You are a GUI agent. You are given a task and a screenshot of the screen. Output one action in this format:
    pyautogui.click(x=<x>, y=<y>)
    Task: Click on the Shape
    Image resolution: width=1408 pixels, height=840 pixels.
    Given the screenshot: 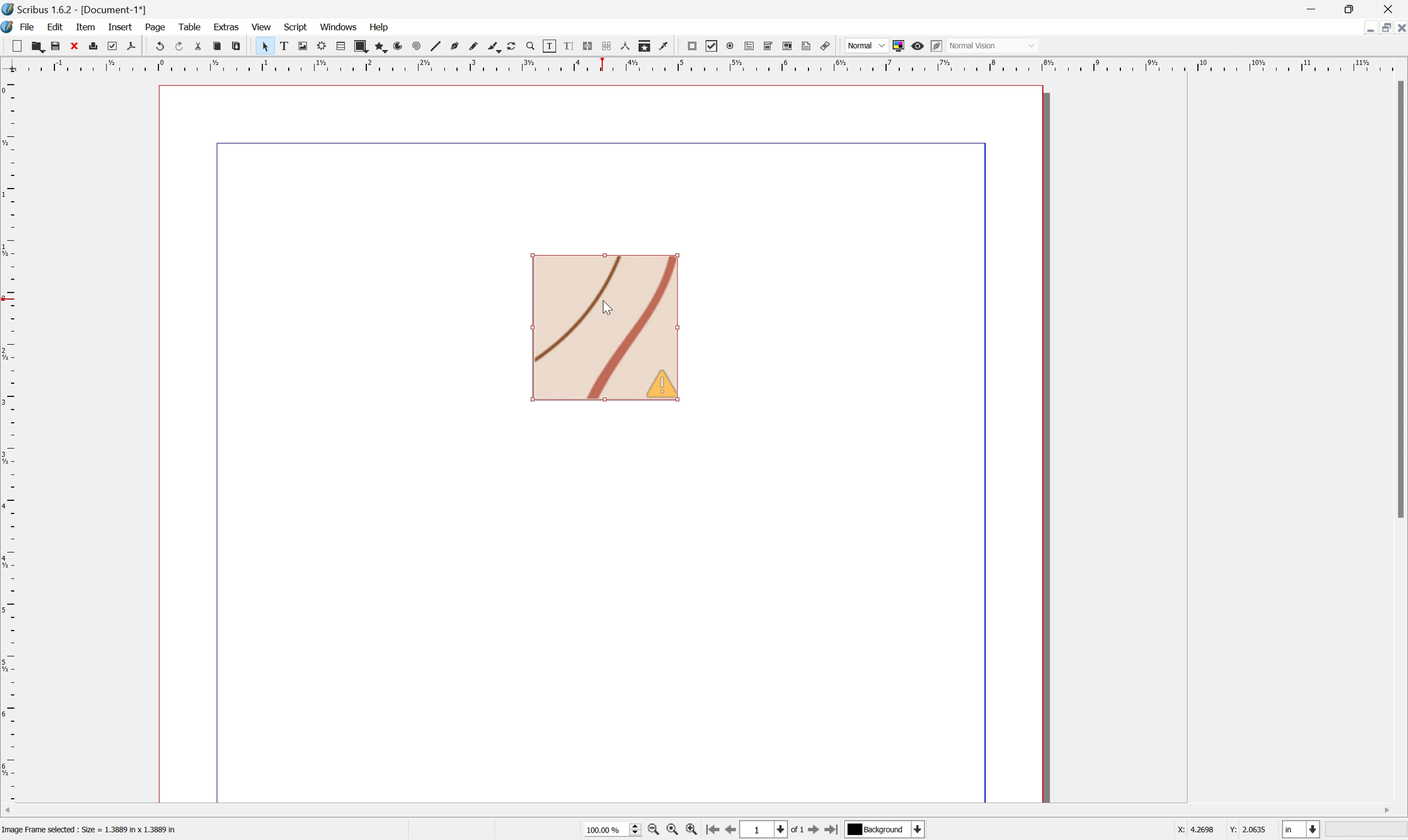 What is the action you would take?
    pyautogui.click(x=364, y=47)
    